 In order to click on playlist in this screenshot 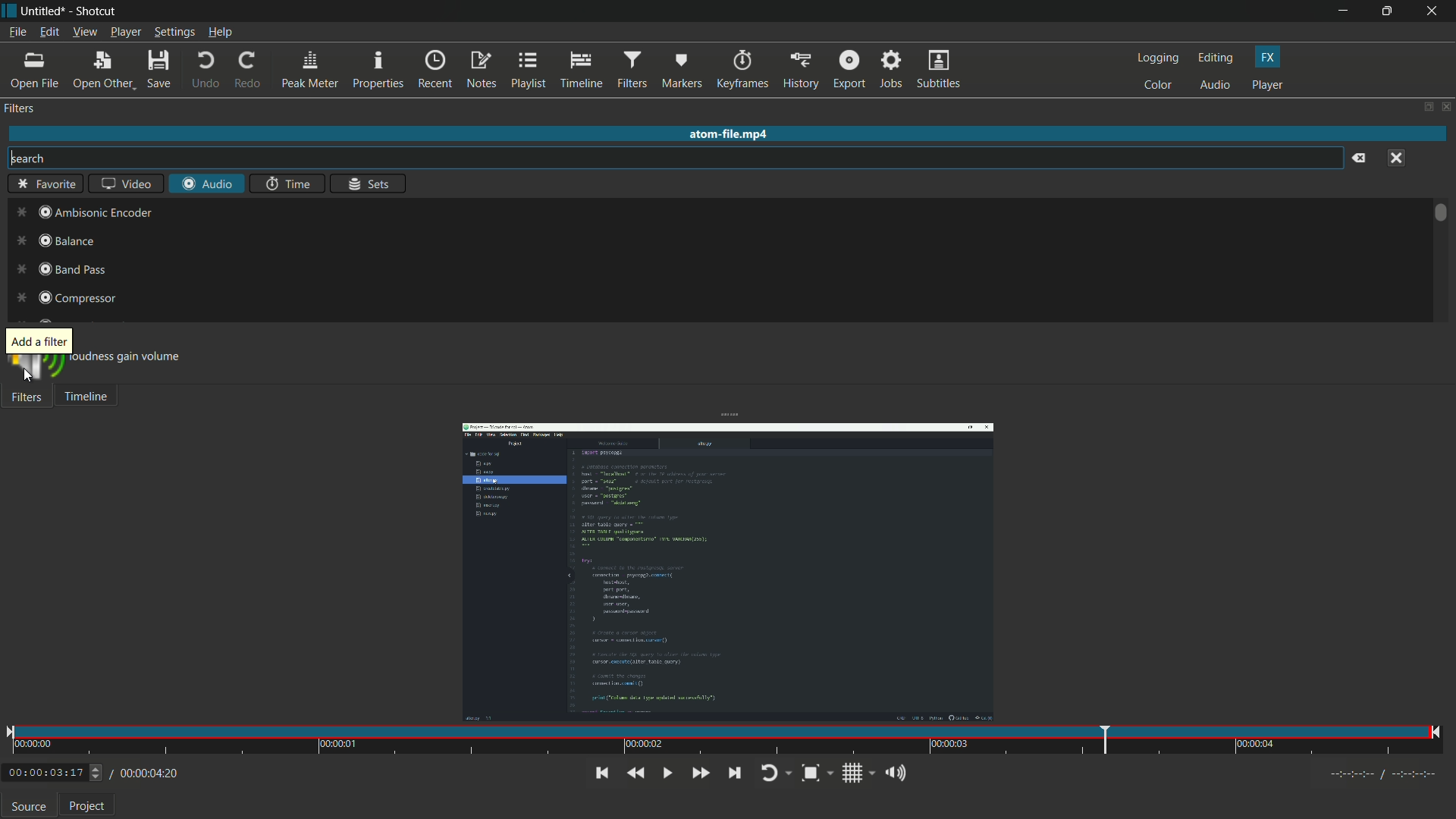, I will do `click(529, 70)`.